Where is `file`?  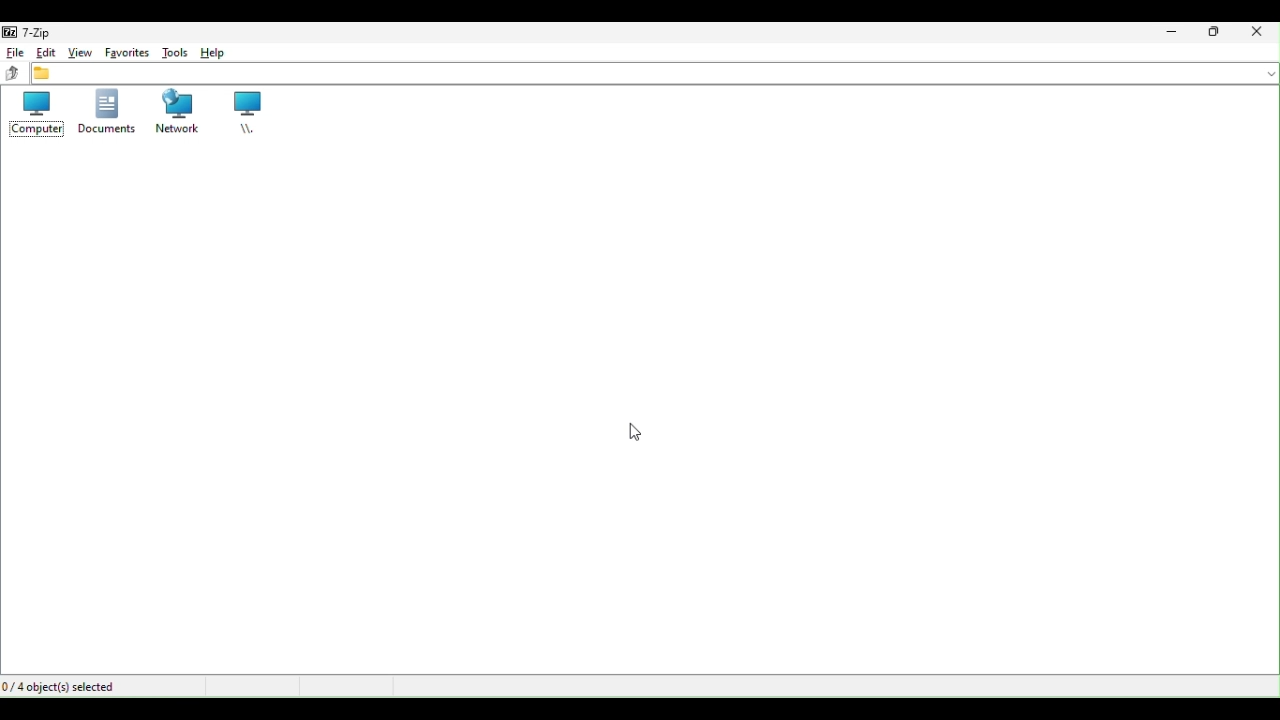
file is located at coordinates (11, 51).